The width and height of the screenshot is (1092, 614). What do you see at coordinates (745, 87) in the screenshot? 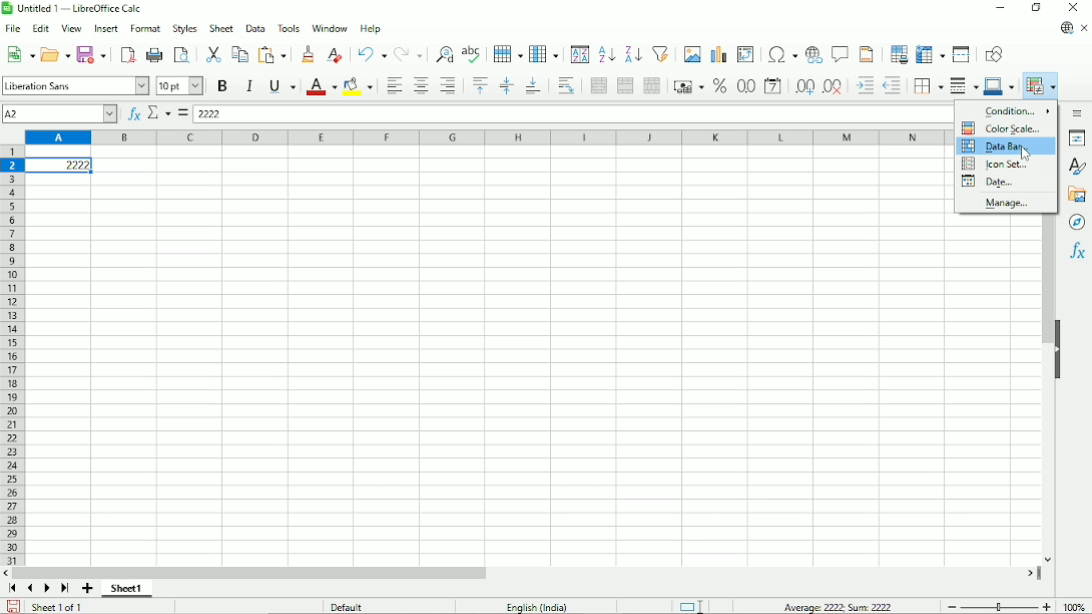
I see `Format as number` at bounding box center [745, 87].